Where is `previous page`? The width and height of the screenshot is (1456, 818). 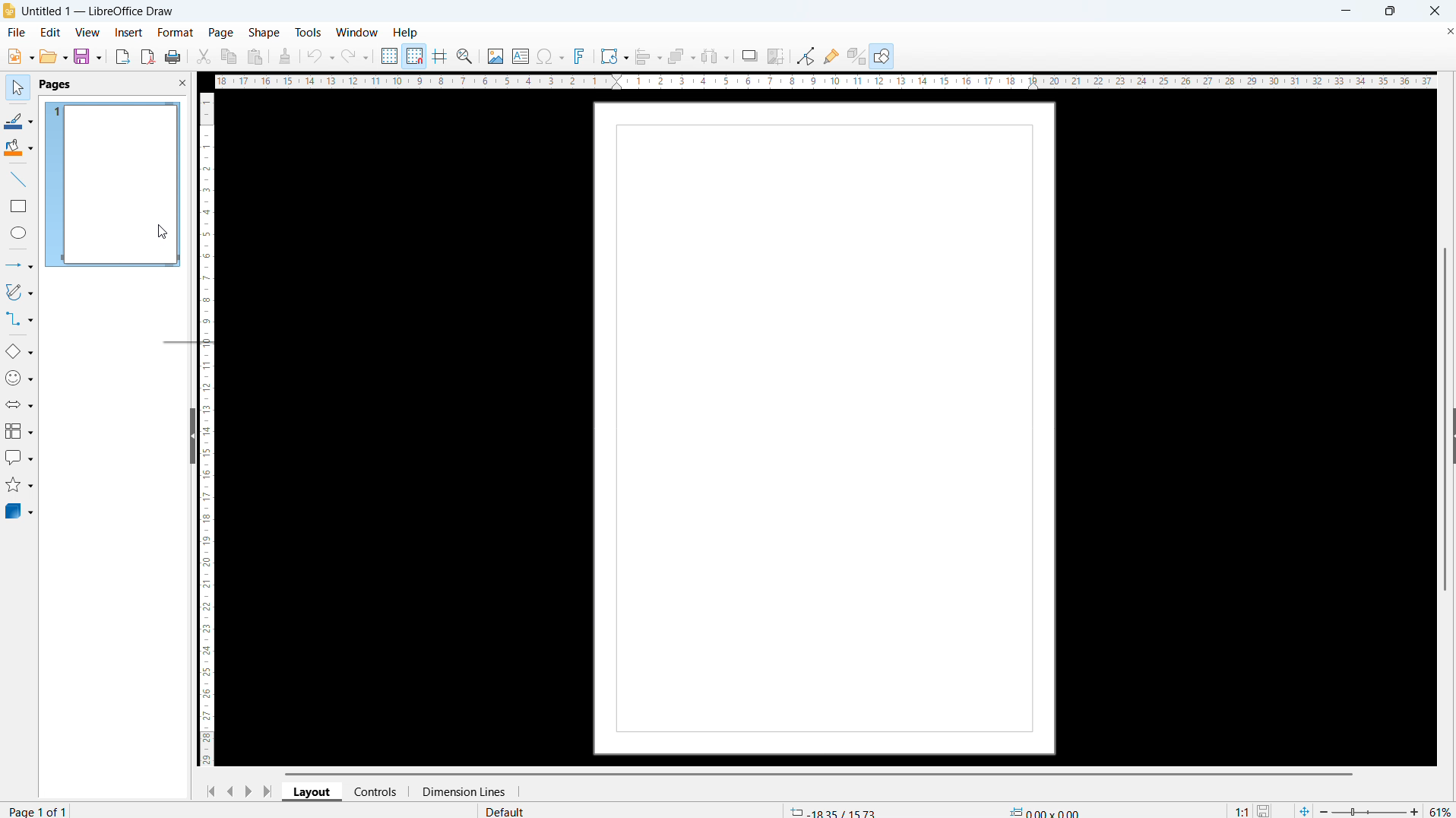 previous page is located at coordinates (229, 791).